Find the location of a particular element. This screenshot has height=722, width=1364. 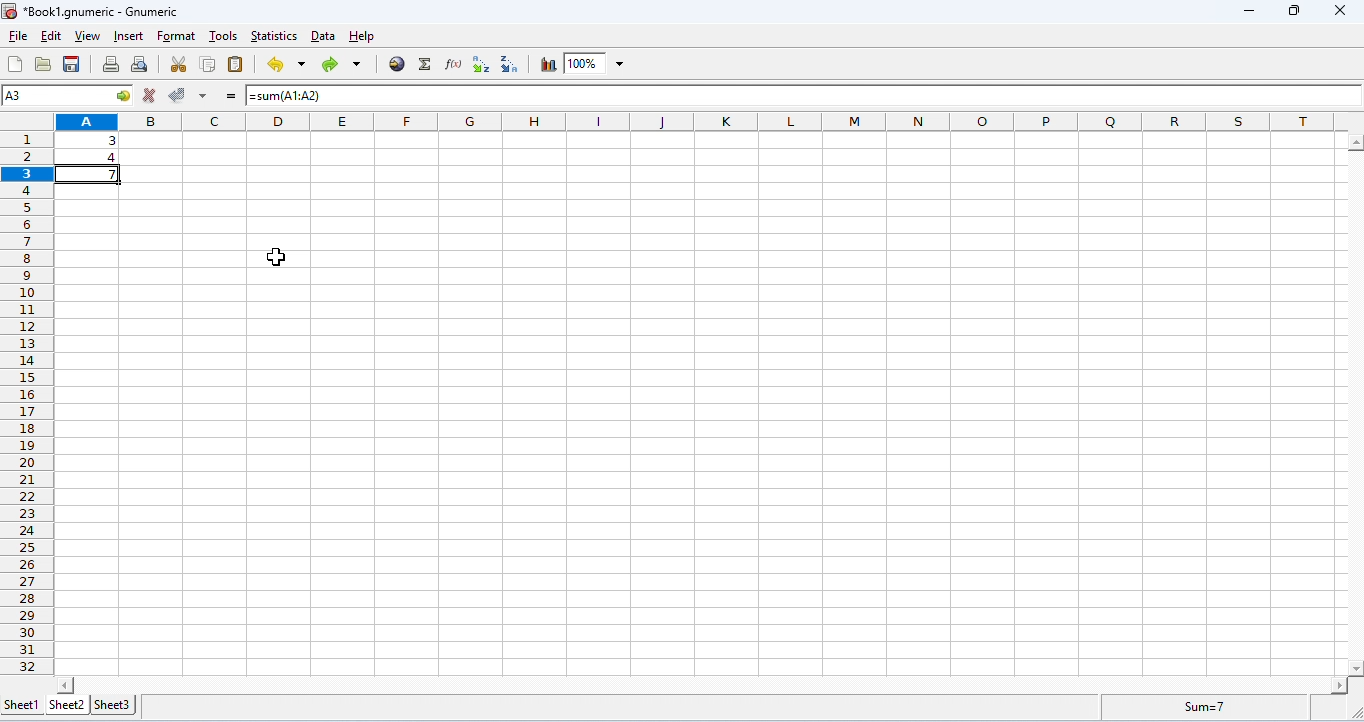

open is located at coordinates (43, 64).